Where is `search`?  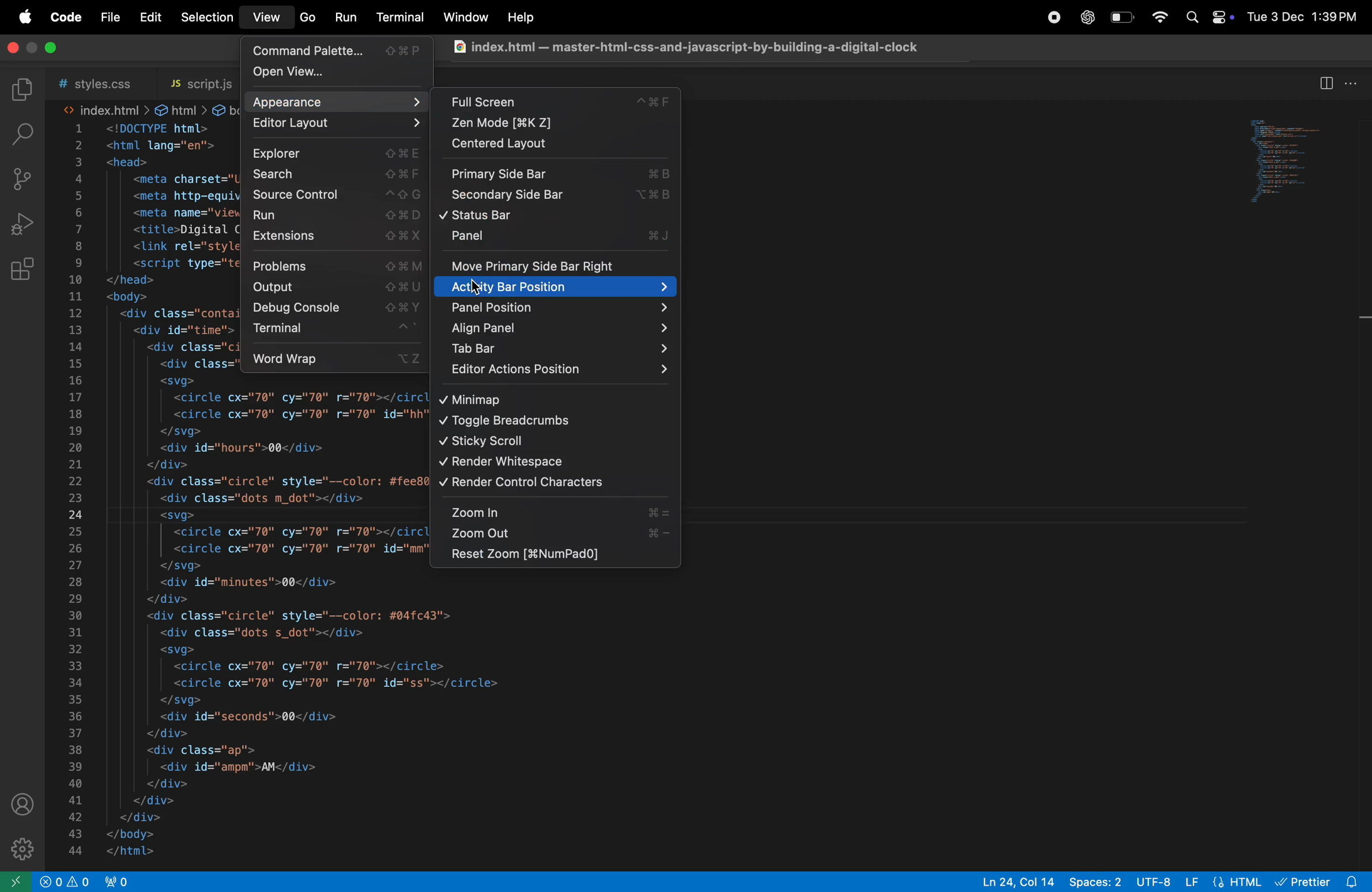
search is located at coordinates (331, 175).